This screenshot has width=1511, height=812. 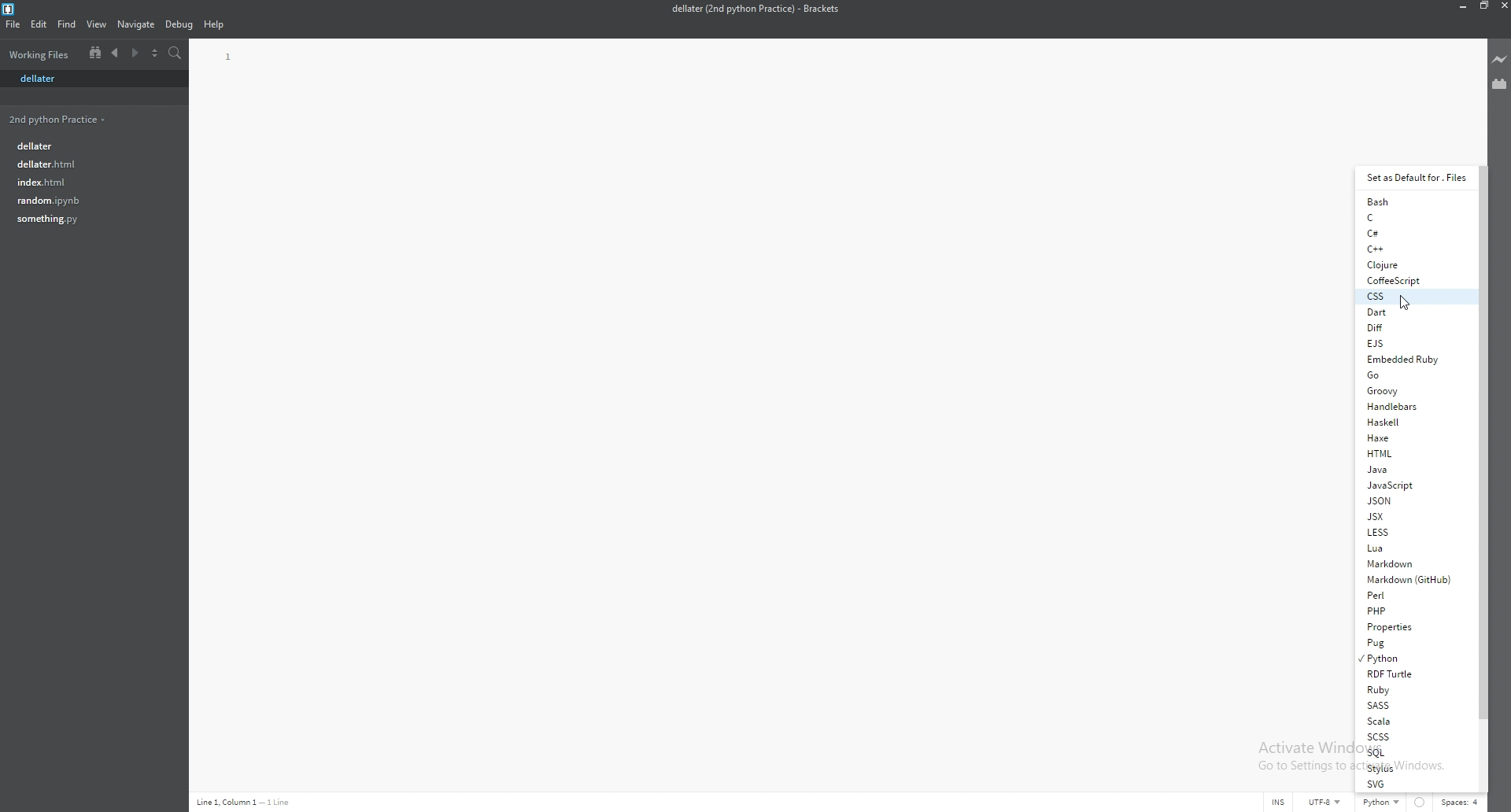 What do you see at coordinates (215, 25) in the screenshot?
I see `help` at bounding box center [215, 25].